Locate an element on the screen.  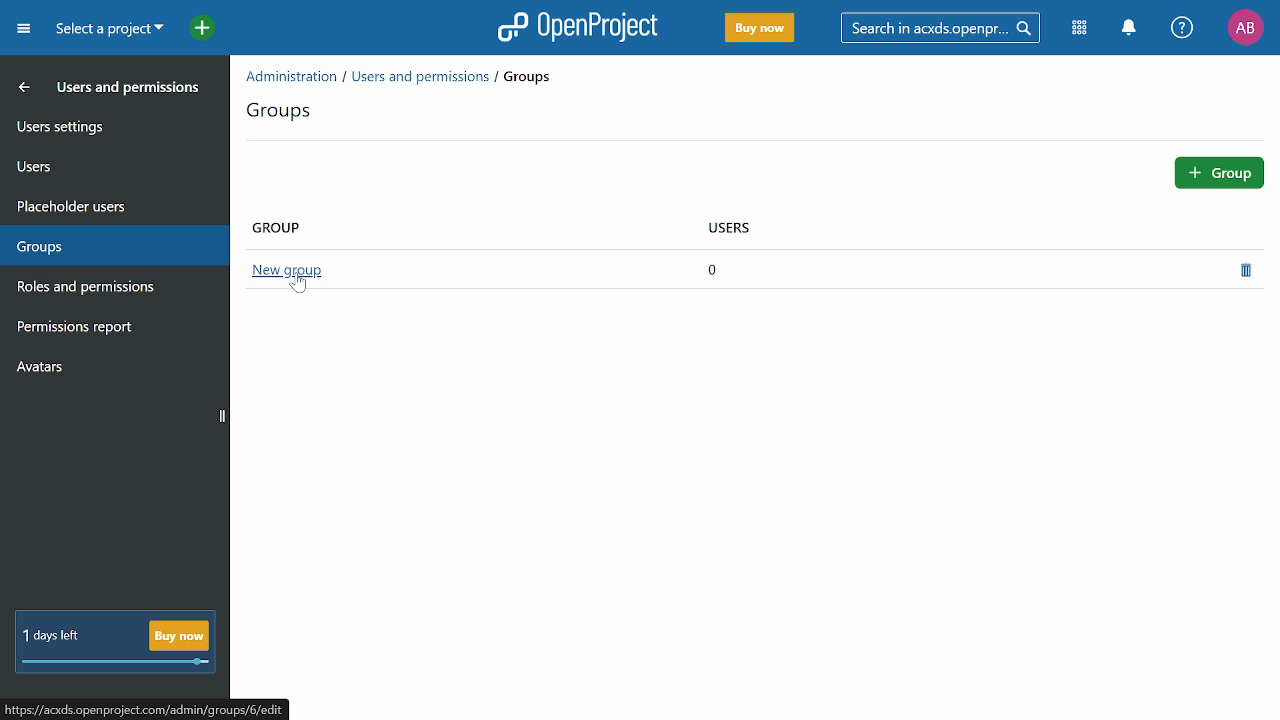
Notifiactions is located at coordinates (1134, 29).